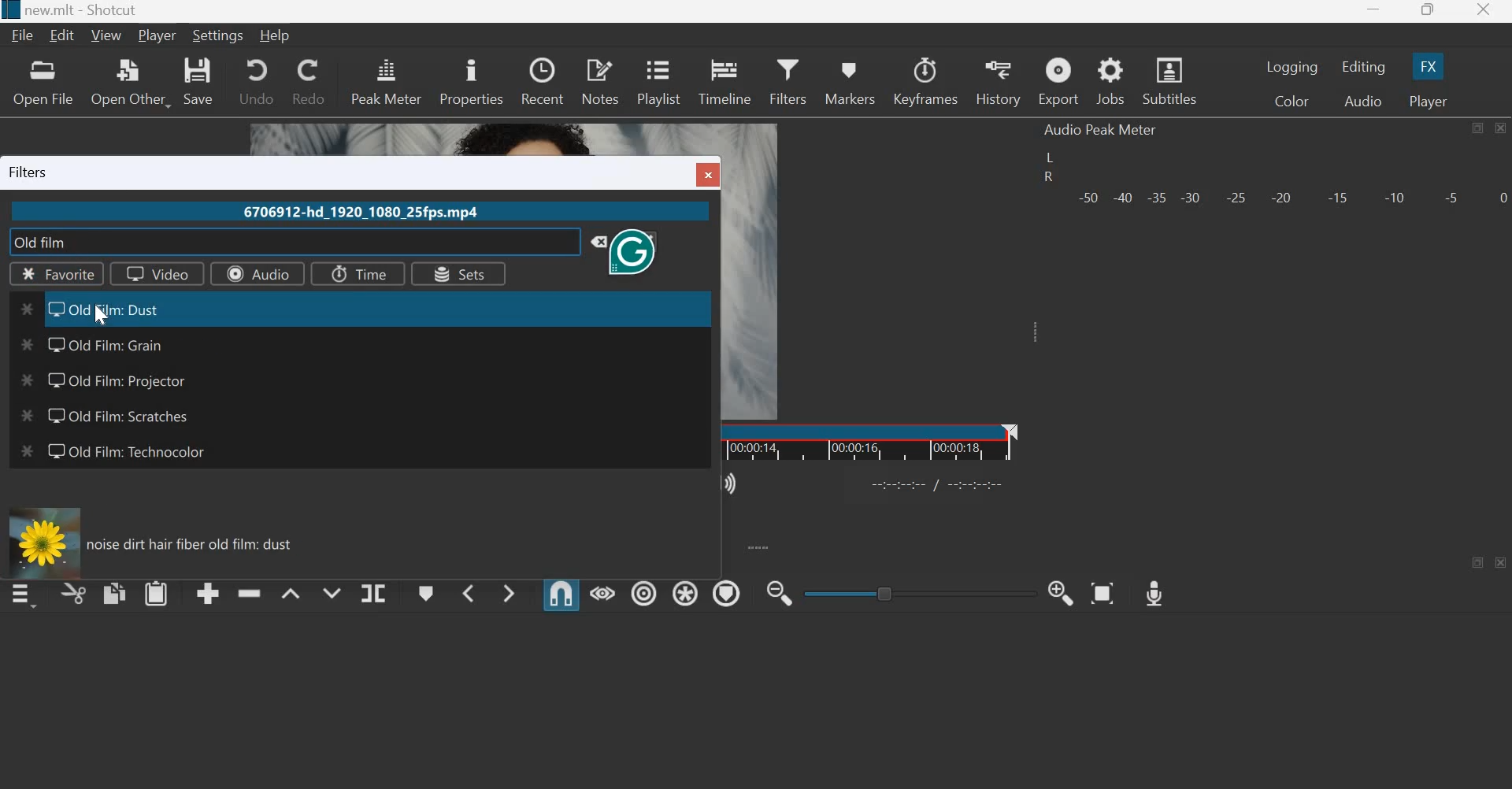 This screenshot has height=789, width=1512. What do you see at coordinates (1482, 12) in the screenshot?
I see `close` at bounding box center [1482, 12].